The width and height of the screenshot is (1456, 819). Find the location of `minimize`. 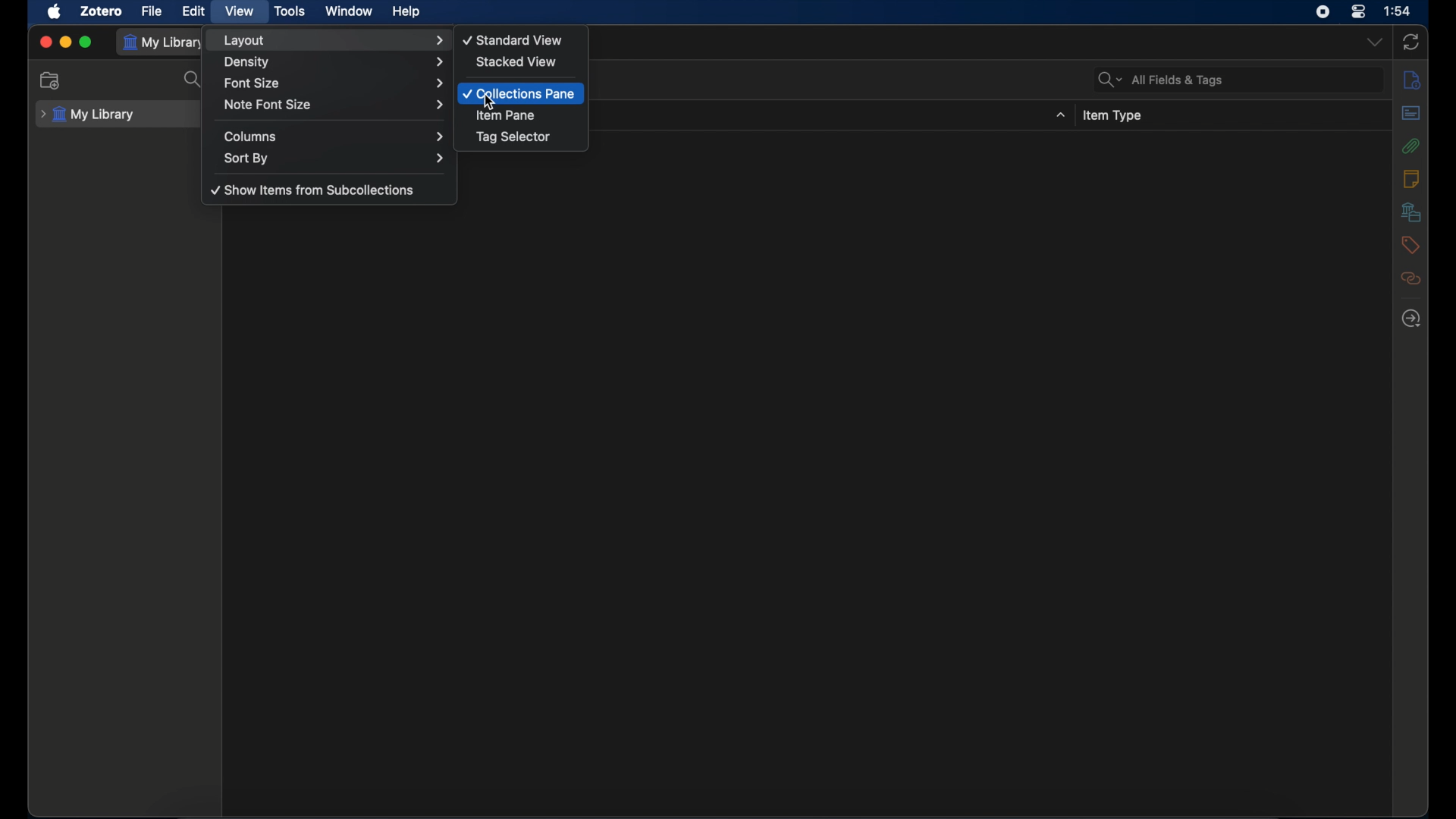

minimize is located at coordinates (65, 42).